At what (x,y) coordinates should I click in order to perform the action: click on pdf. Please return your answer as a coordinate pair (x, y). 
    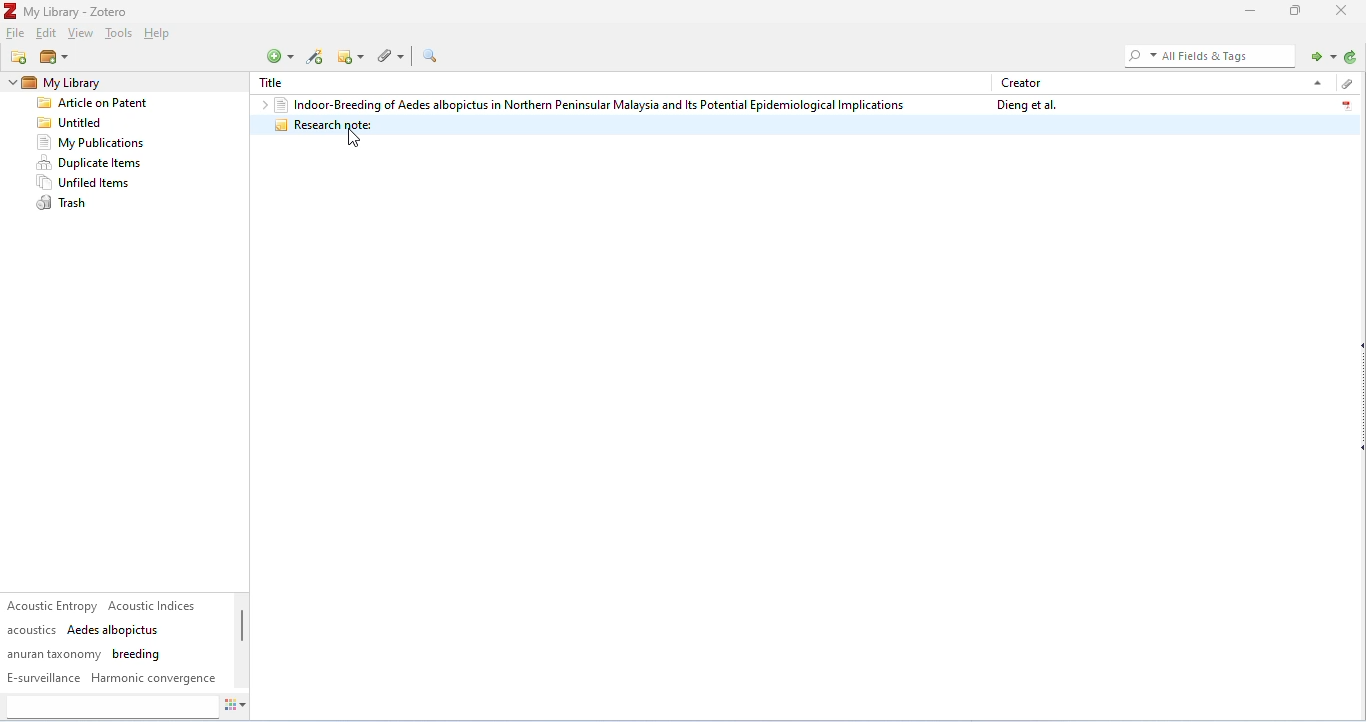
    Looking at the image, I should click on (1346, 103).